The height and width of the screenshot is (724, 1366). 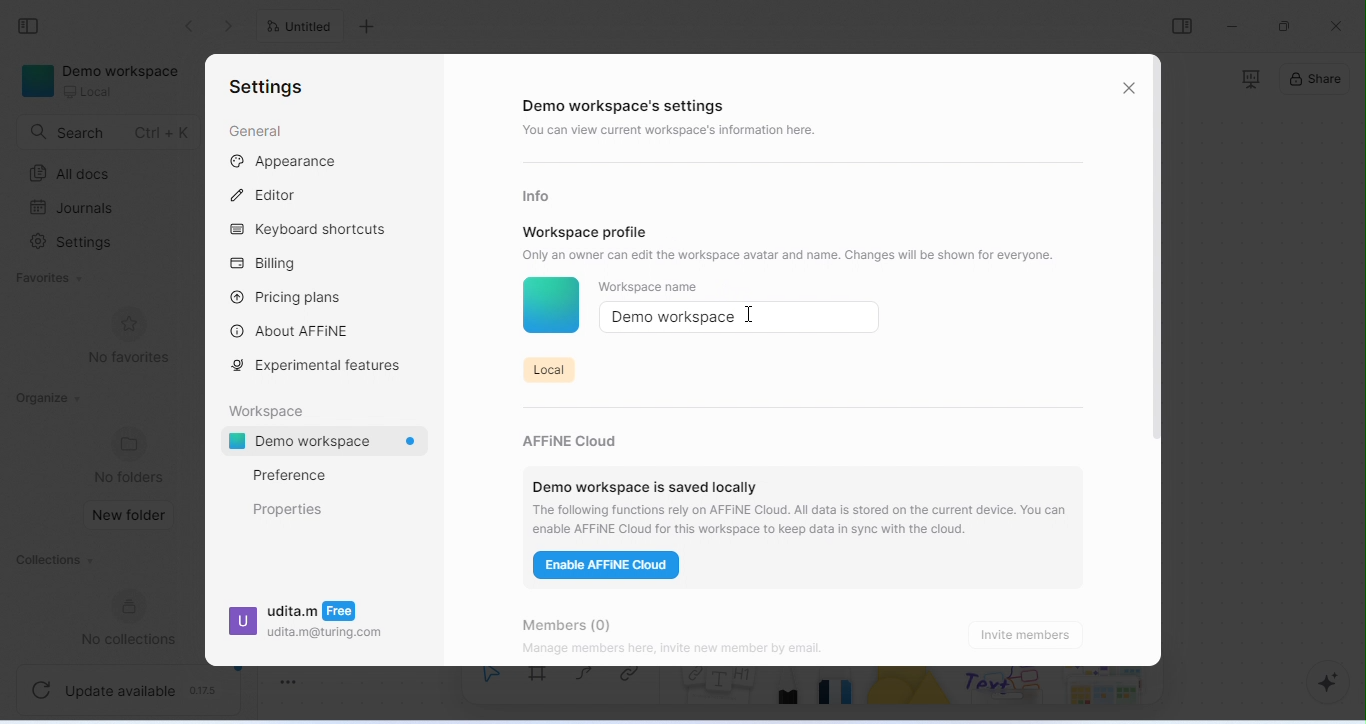 What do you see at coordinates (130, 687) in the screenshot?
I see `update available` at bounding box center [130, 687].